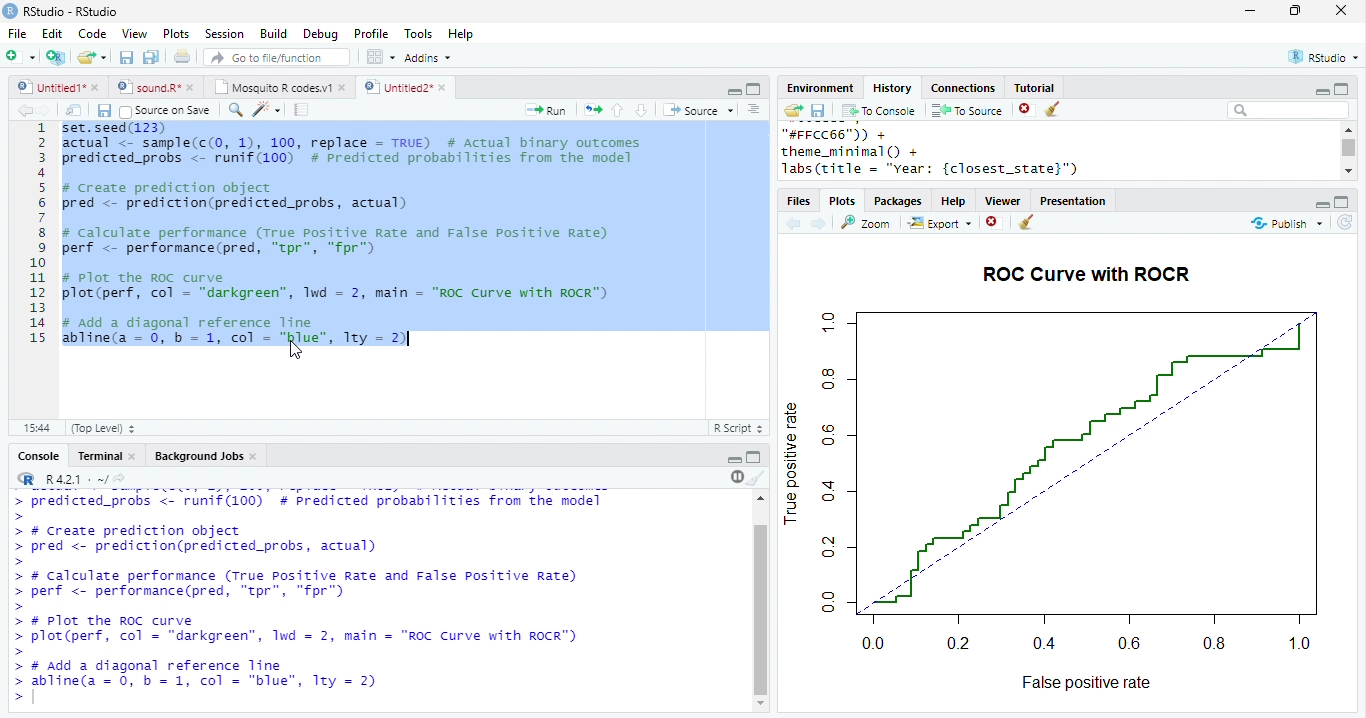  I want to click on Viewer, so click(1004, 202).